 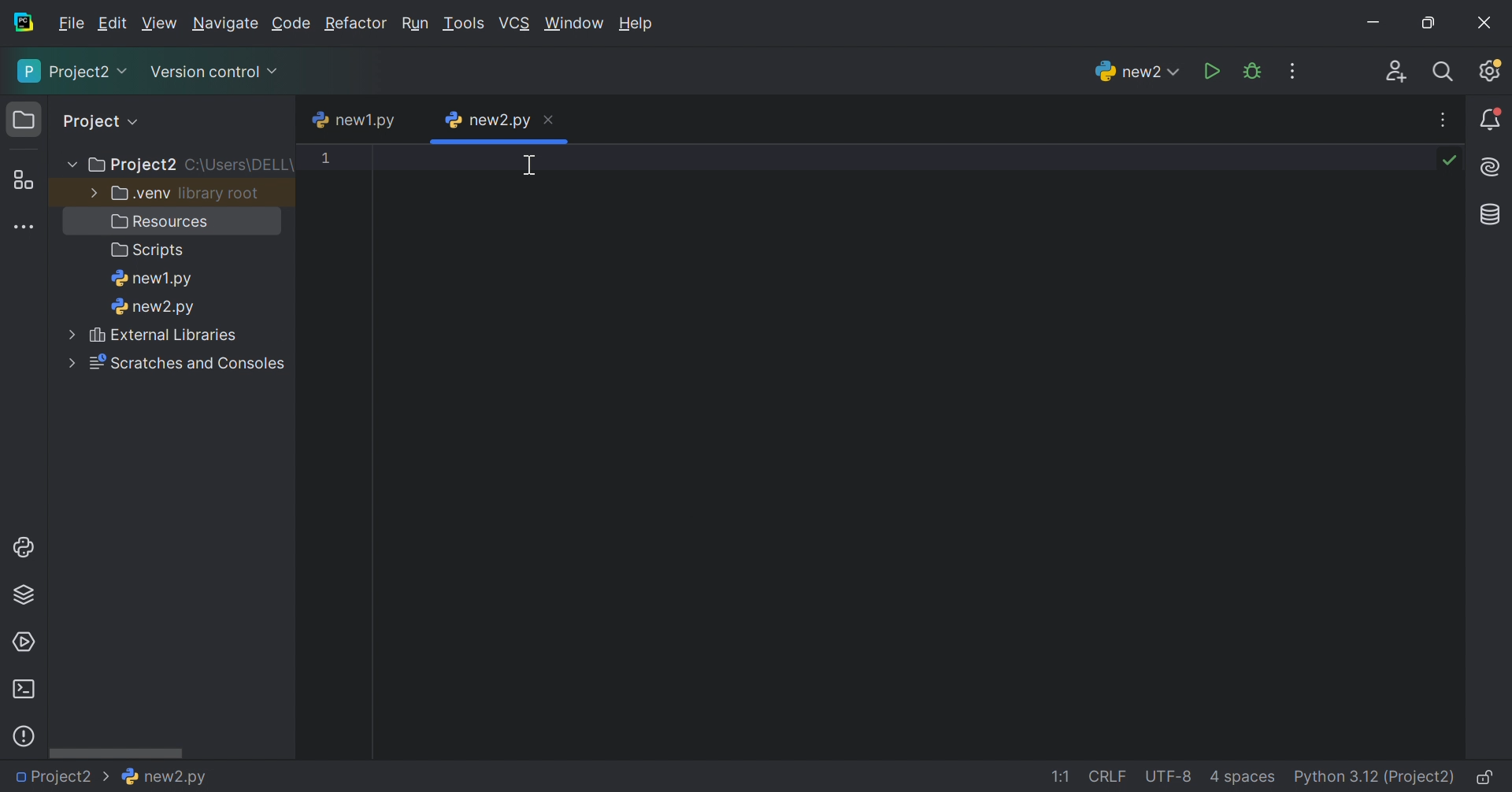 What do you see at coordinates (164, 775) in the screenshot?
I see `new2.py` at bounding box center [164, 775].